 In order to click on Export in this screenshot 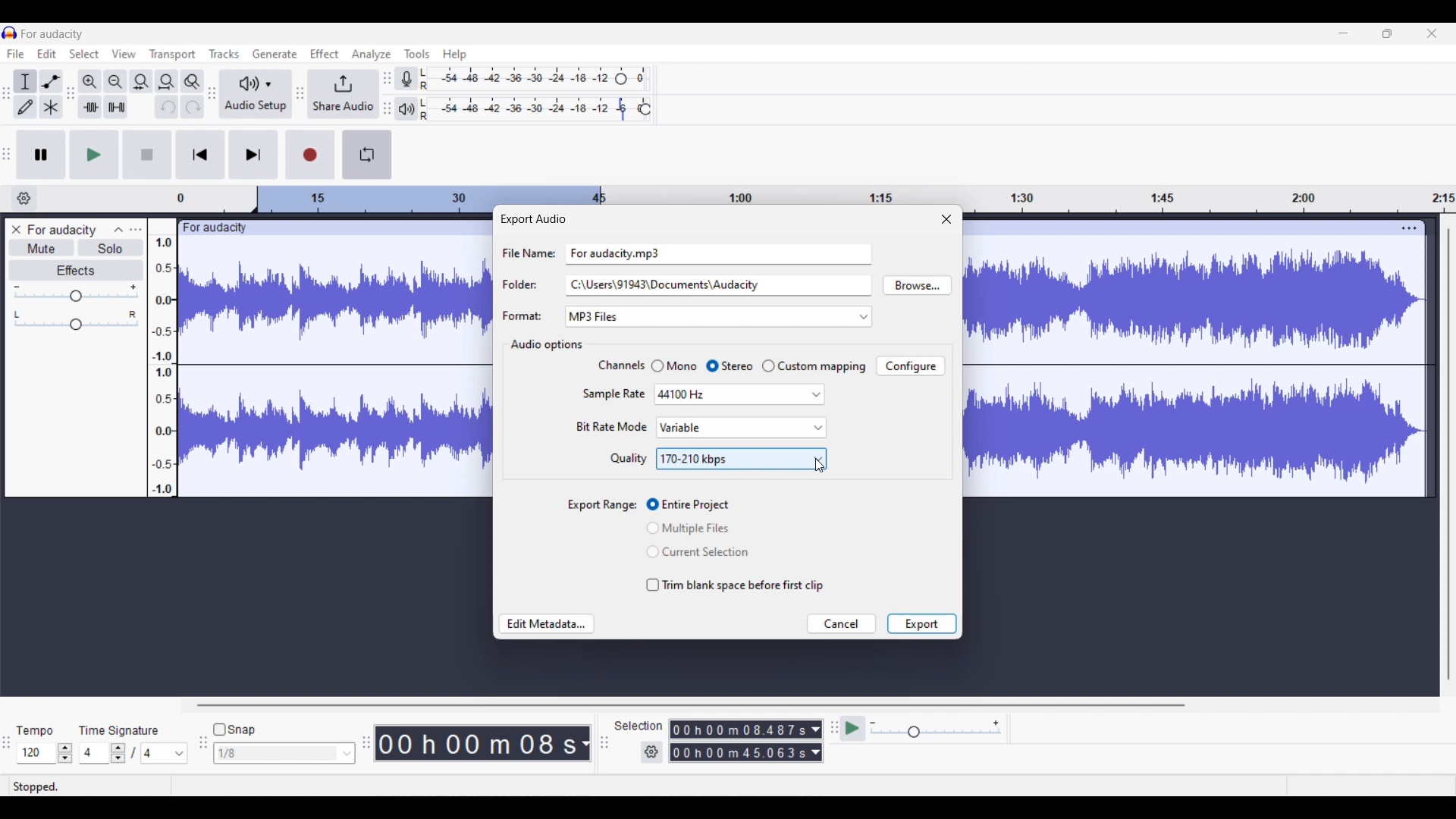, I will do `click(921, 623)`.